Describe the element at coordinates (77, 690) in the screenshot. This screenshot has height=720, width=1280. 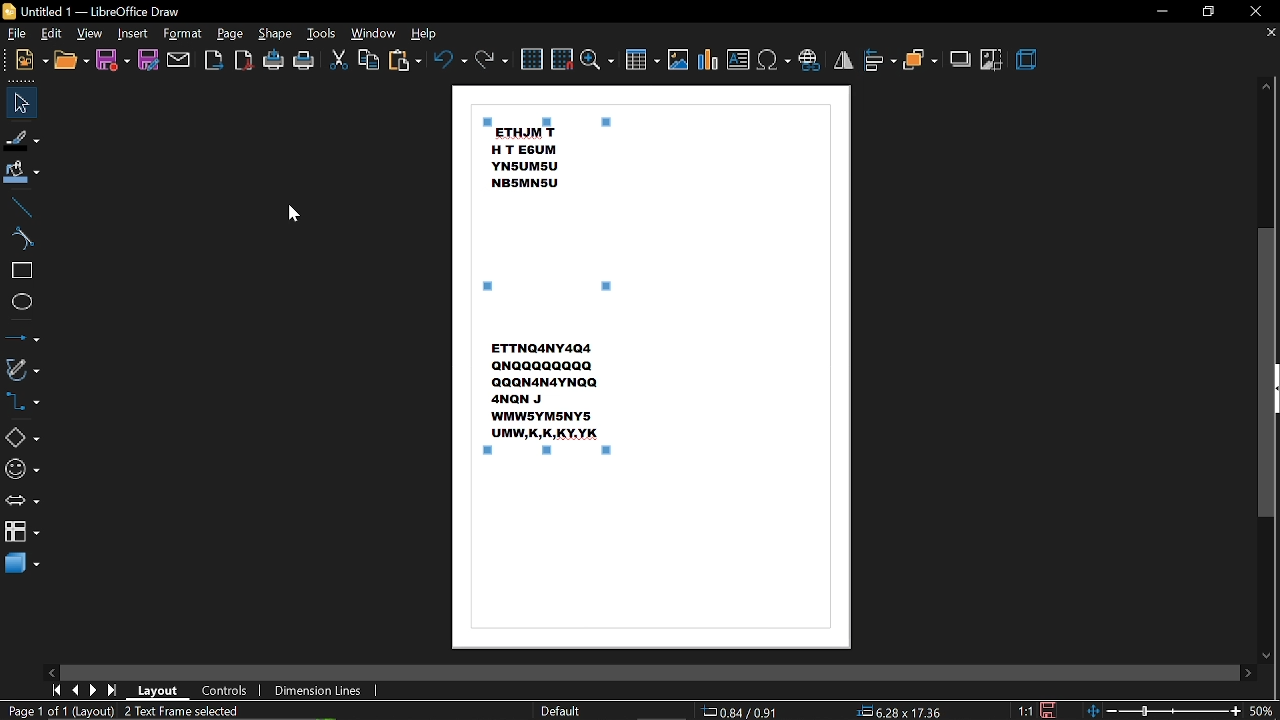
I see `previous page` at that location.